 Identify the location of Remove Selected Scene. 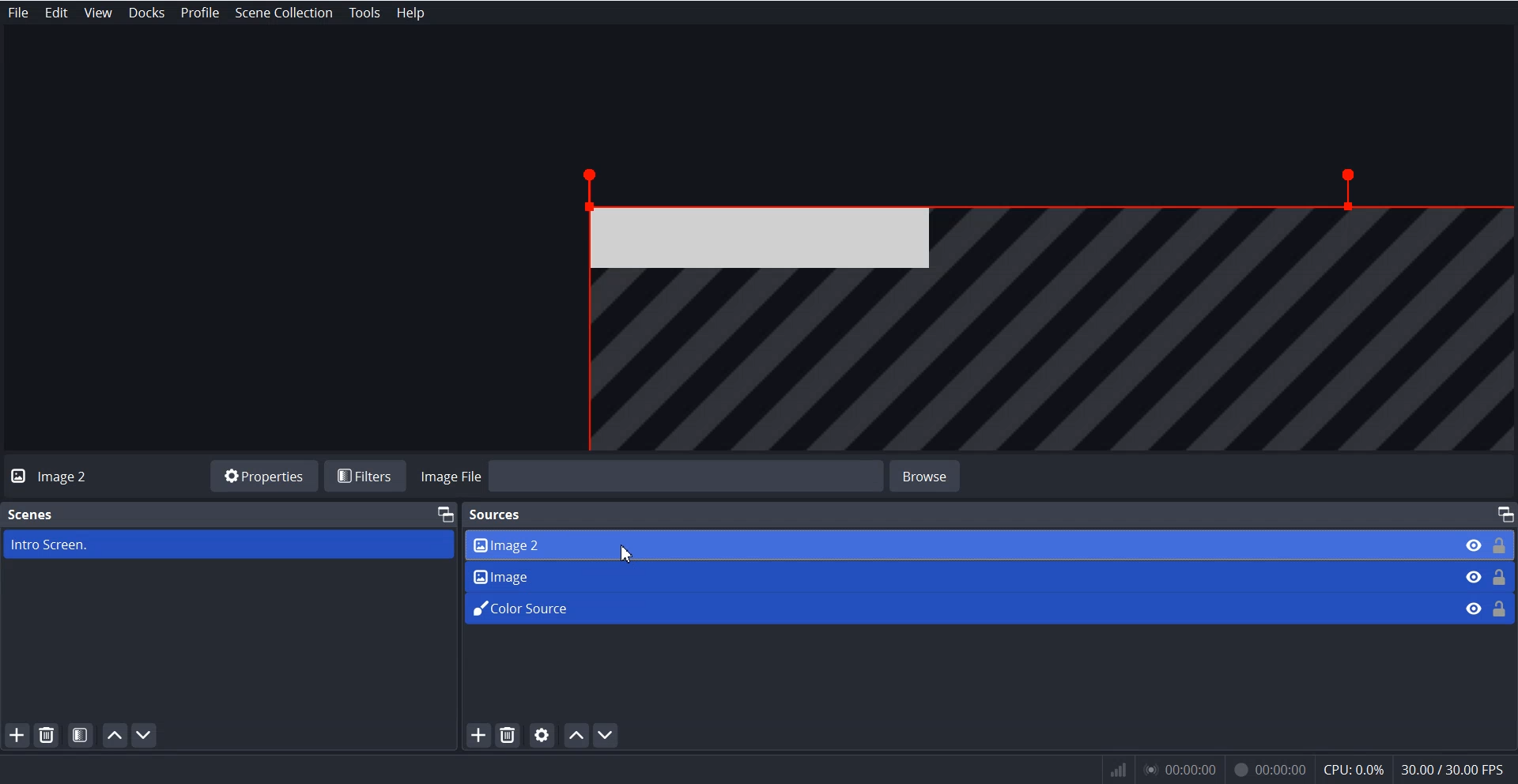
(48, 735).